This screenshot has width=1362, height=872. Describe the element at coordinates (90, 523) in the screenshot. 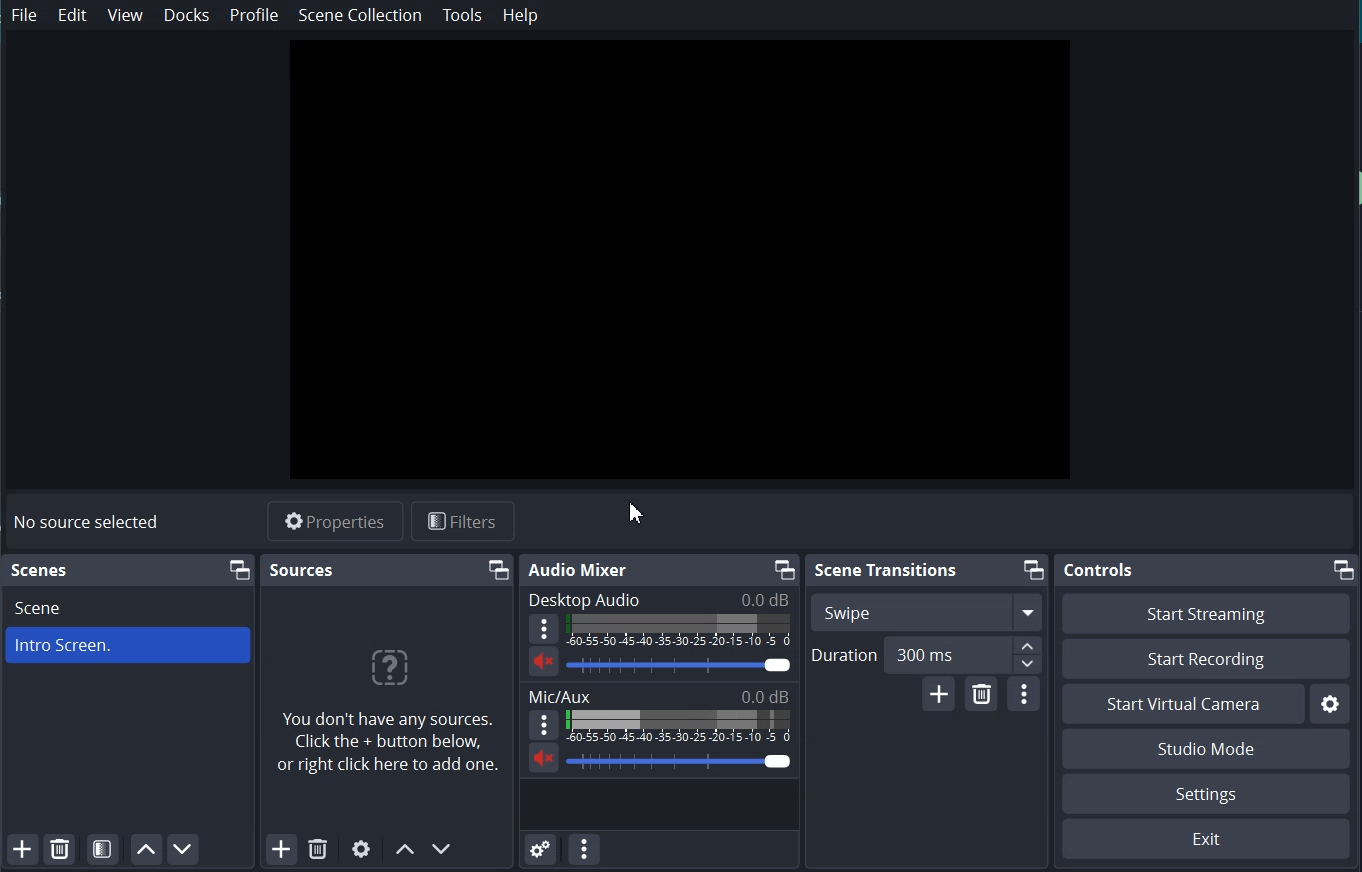

I see `Text` at that location.